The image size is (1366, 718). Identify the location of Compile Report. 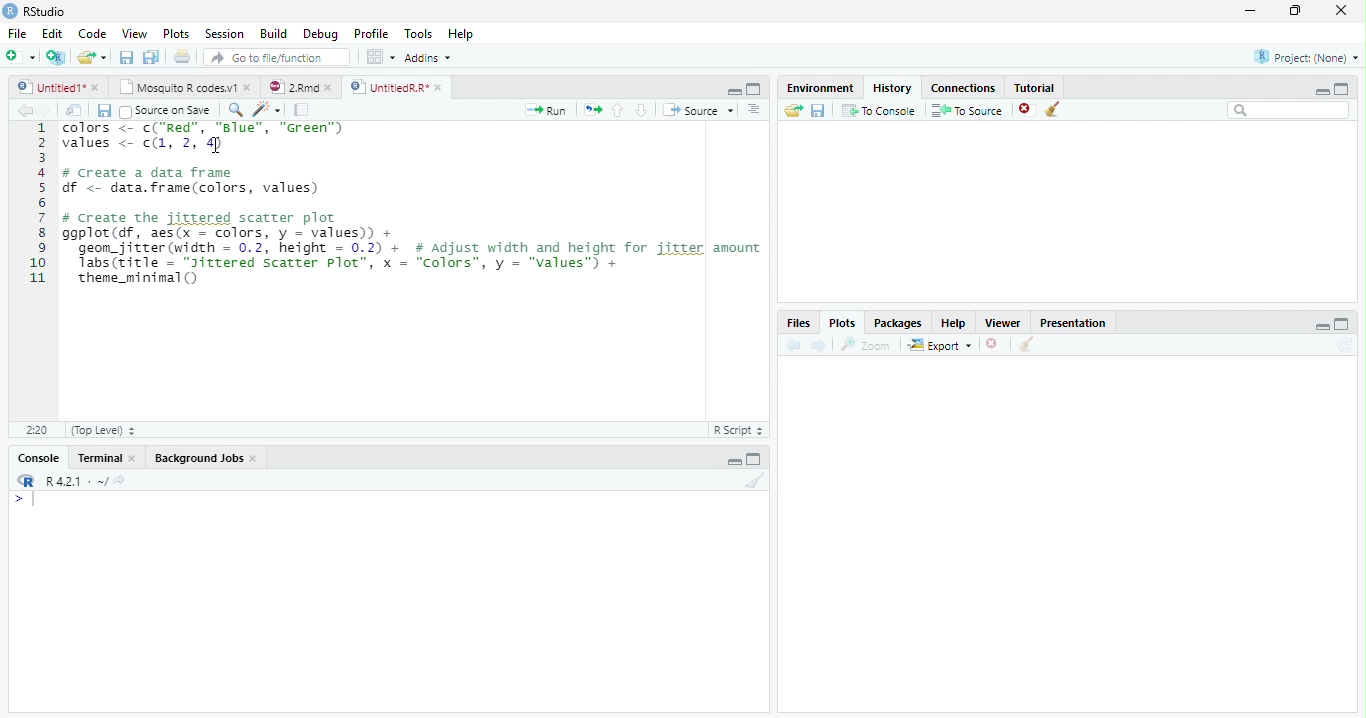
(302, 111).